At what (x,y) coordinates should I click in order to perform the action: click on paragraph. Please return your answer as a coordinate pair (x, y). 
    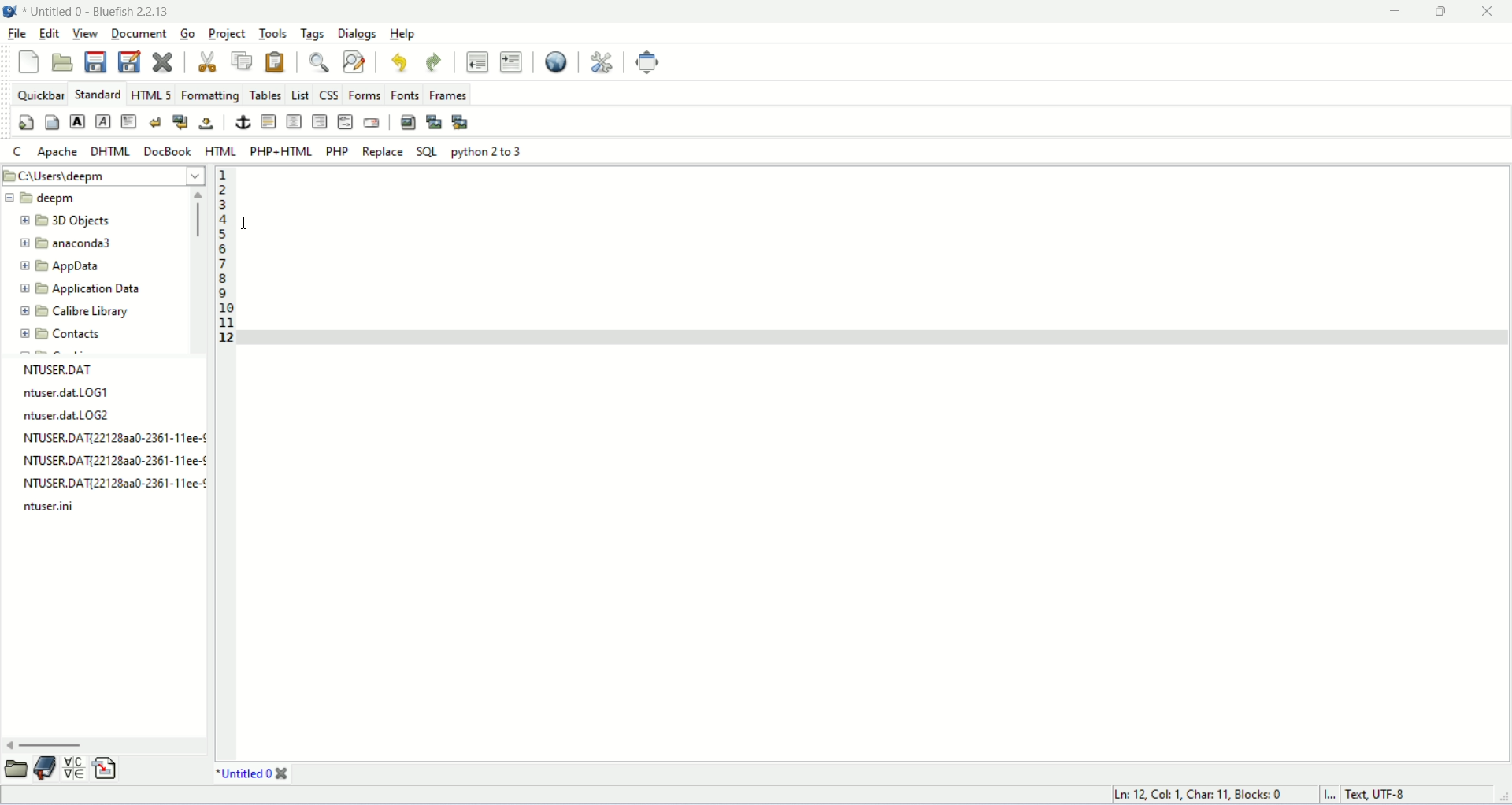
    Looking at the image, I should click on (130, 122).